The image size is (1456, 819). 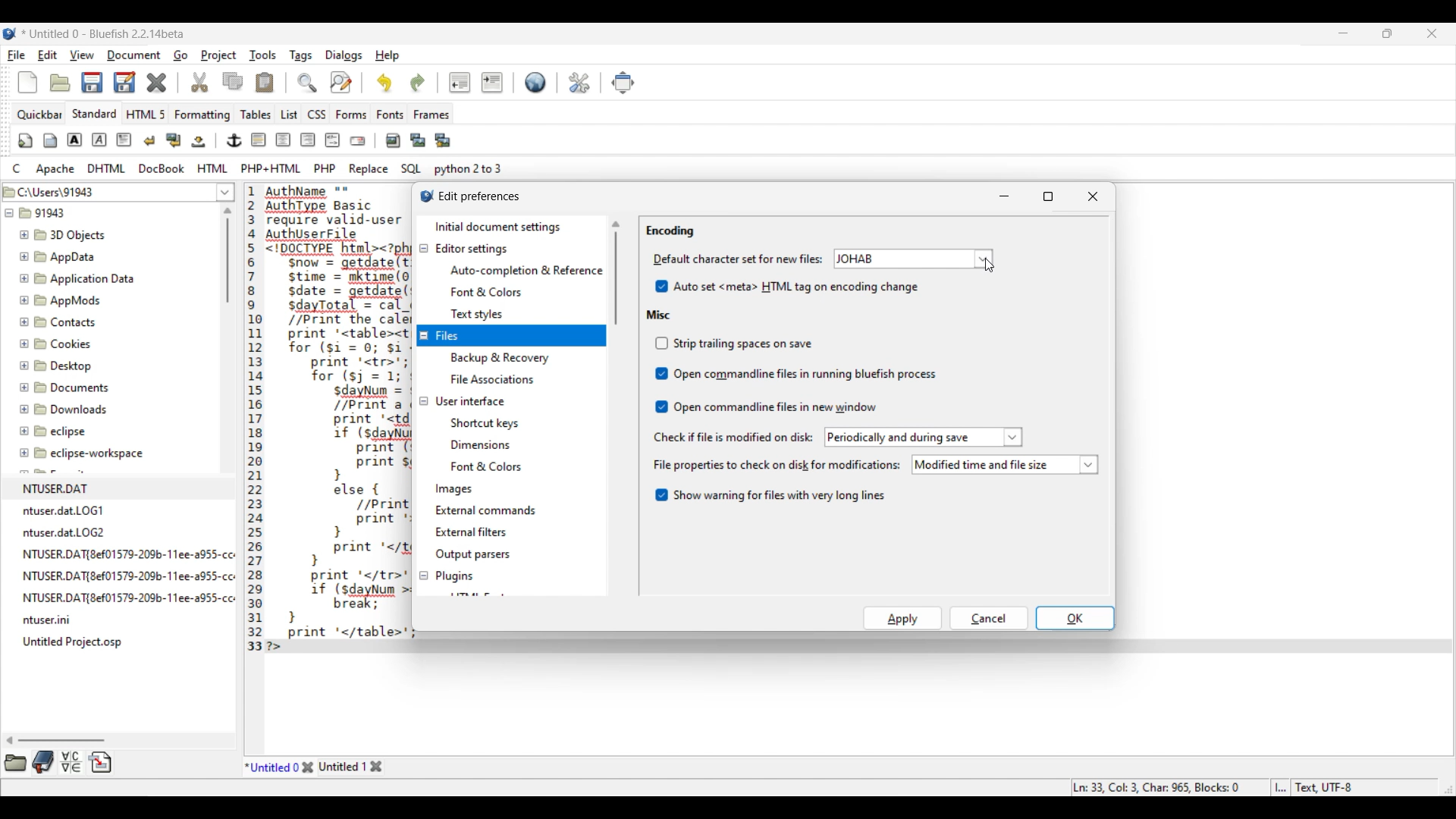 I want to click on Image and text edit tools, so click(x=237, y=140).